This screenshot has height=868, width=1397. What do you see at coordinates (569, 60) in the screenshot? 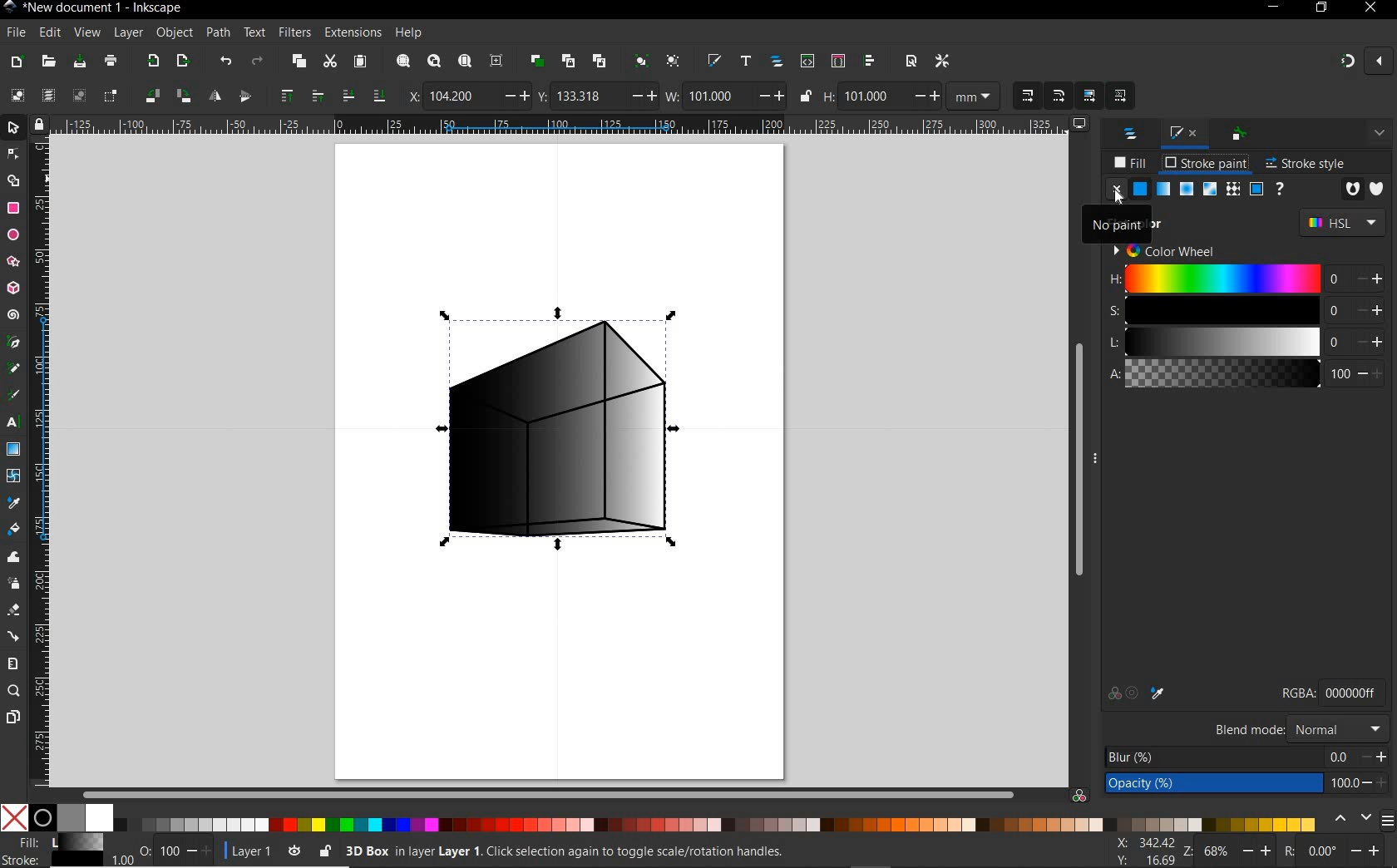
I see `CREATE CLONE` at bounding box center [569, 60].